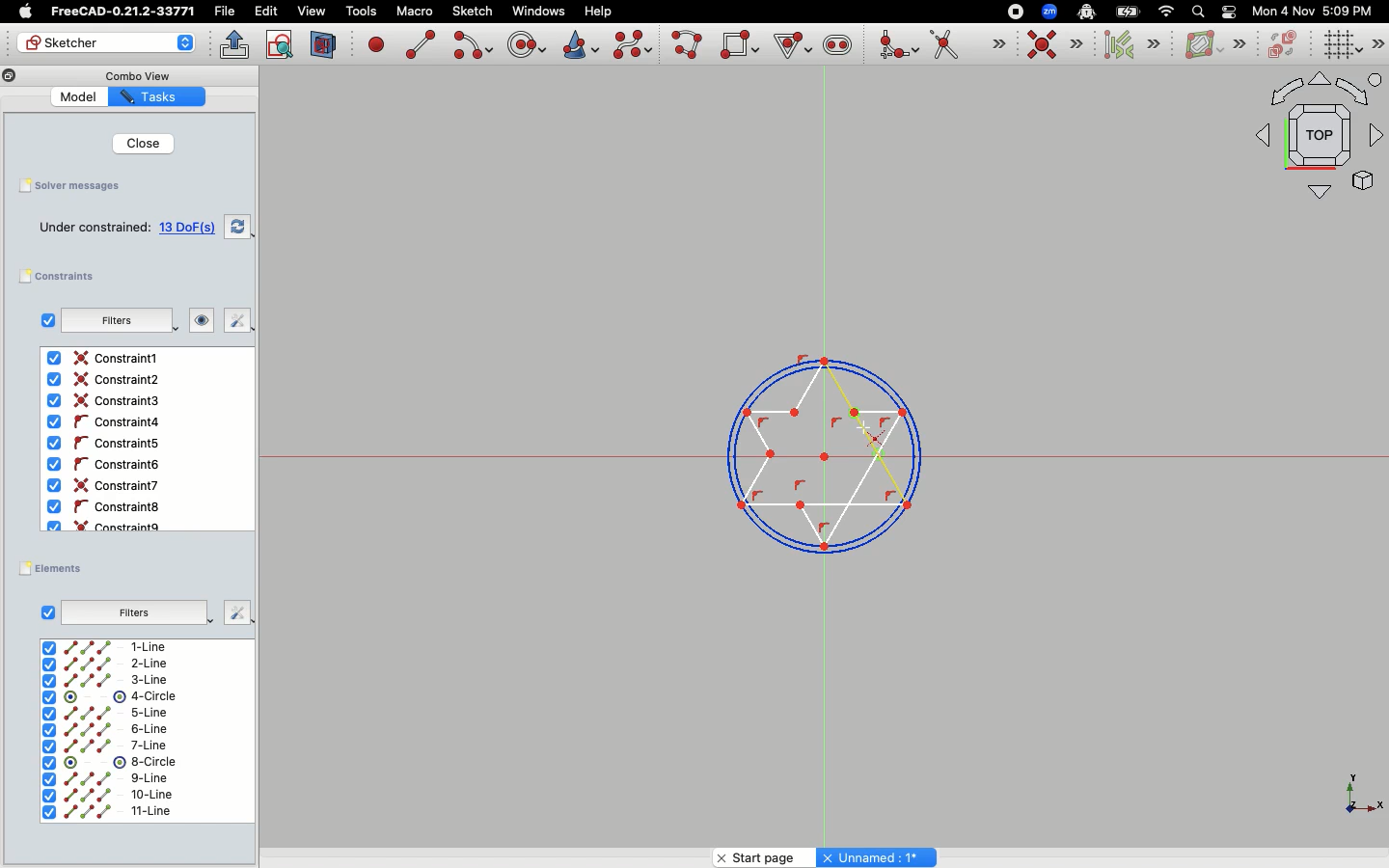  What do you see at coordinates (1285, 45) in the screenshot?
I see `Switch virtual space` at bounding box center [1285, 45].